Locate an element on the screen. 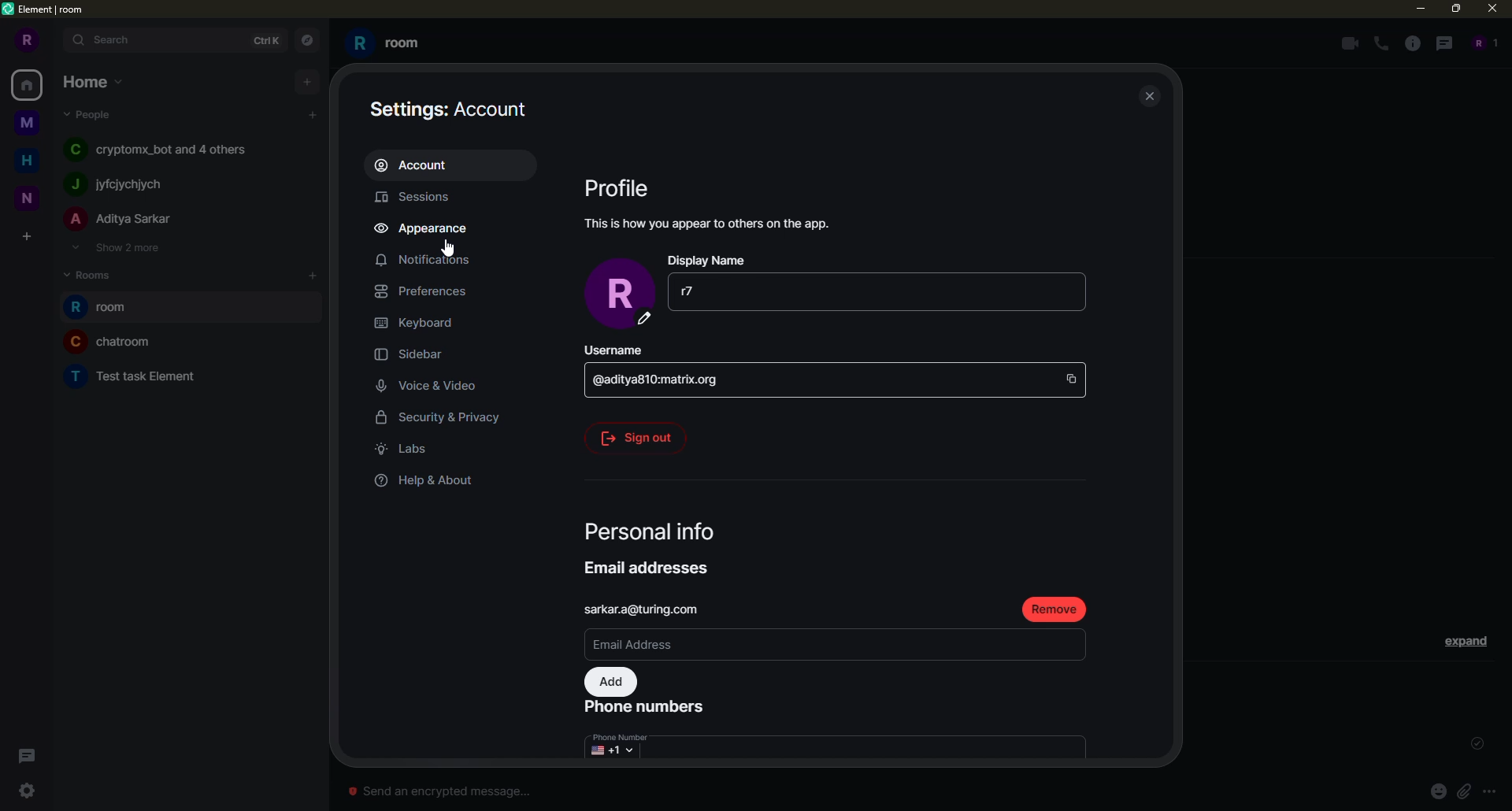 This screenshot has height=811, width=1512. room is located at coordinates (105, 308).